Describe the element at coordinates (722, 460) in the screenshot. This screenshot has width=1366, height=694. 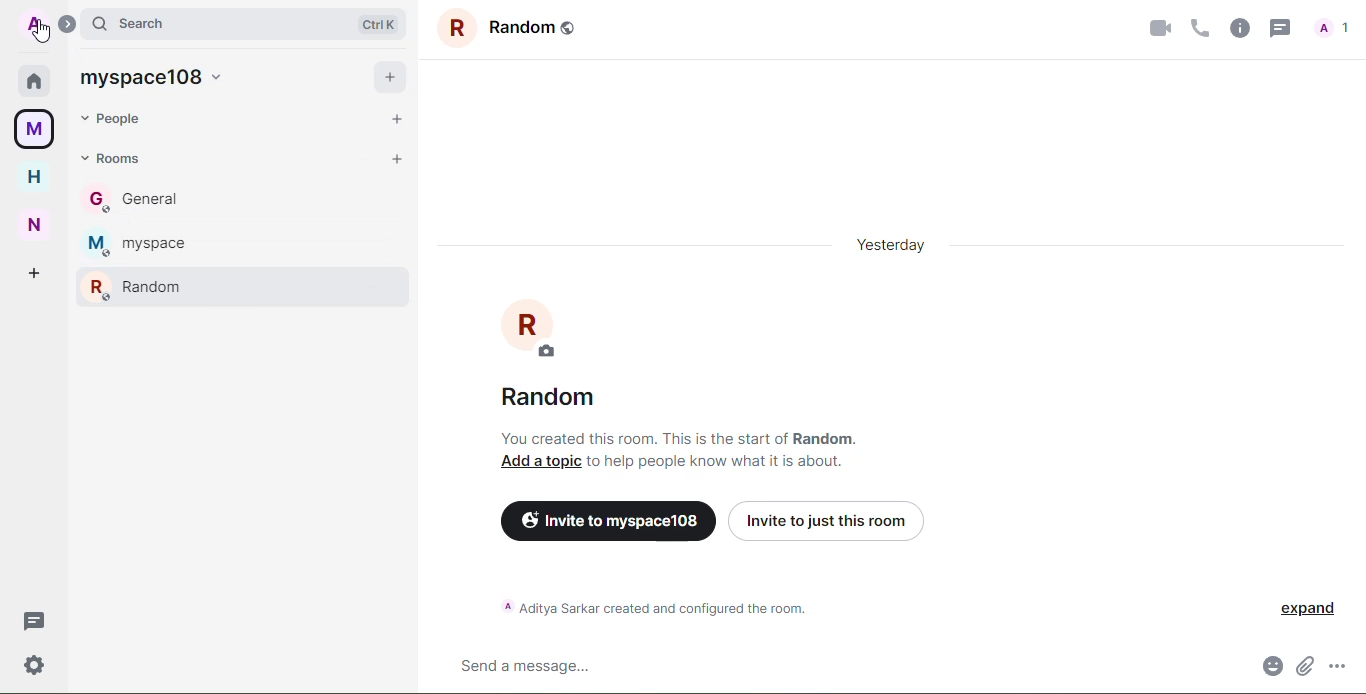
I see ` to help people know what it 1s about.` at that location.